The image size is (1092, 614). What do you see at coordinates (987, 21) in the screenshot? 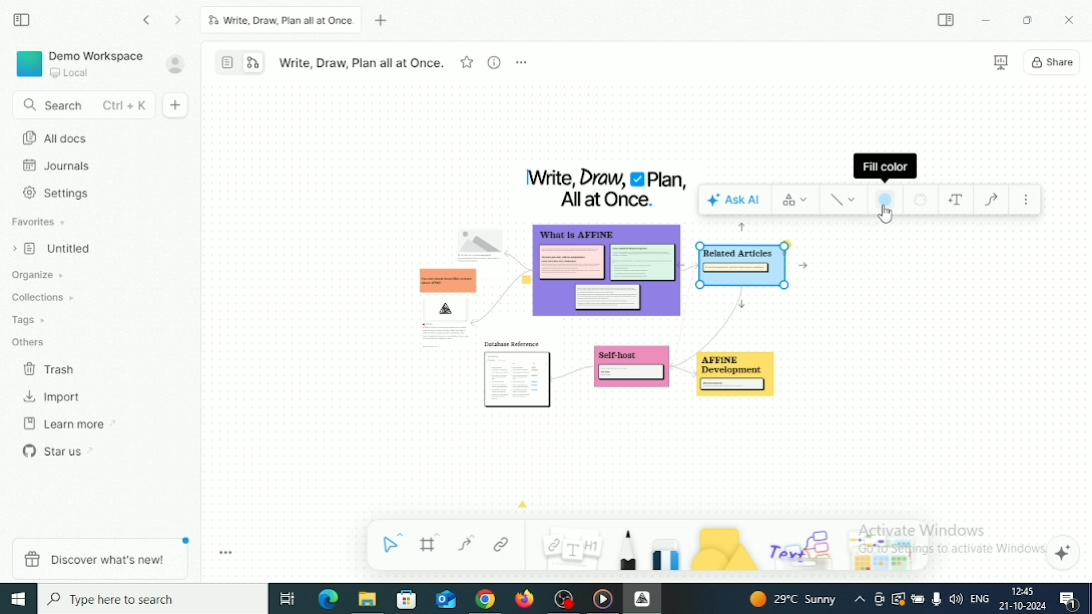
I see `Minimize` at bounding box center [987, 21].